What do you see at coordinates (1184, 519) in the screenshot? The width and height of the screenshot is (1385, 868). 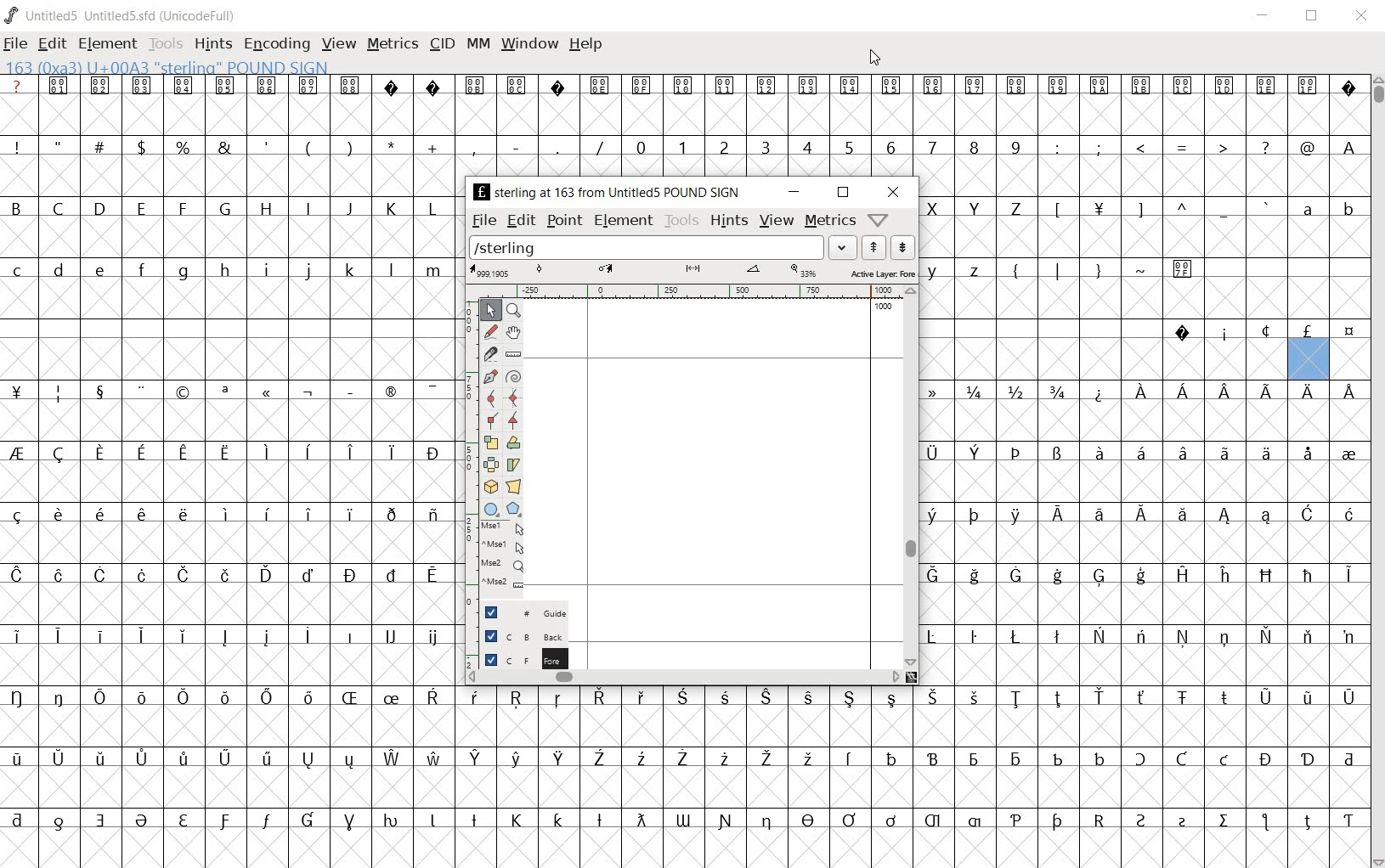 I see `Symbol` at bounding box center [1184, 519].